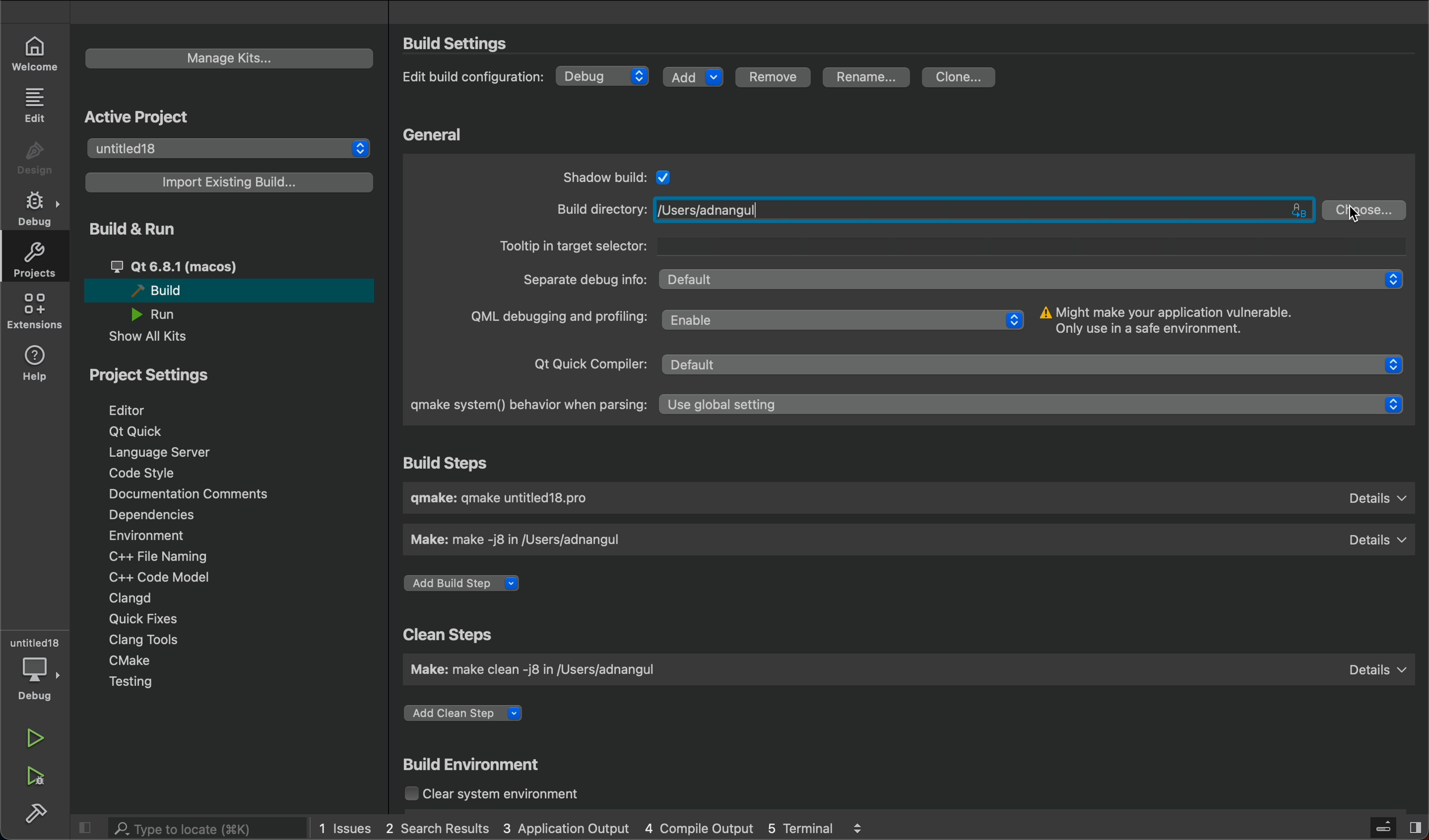 This screenshot has height=840, width=1429. I want to click on Remove, so click(778, 77).